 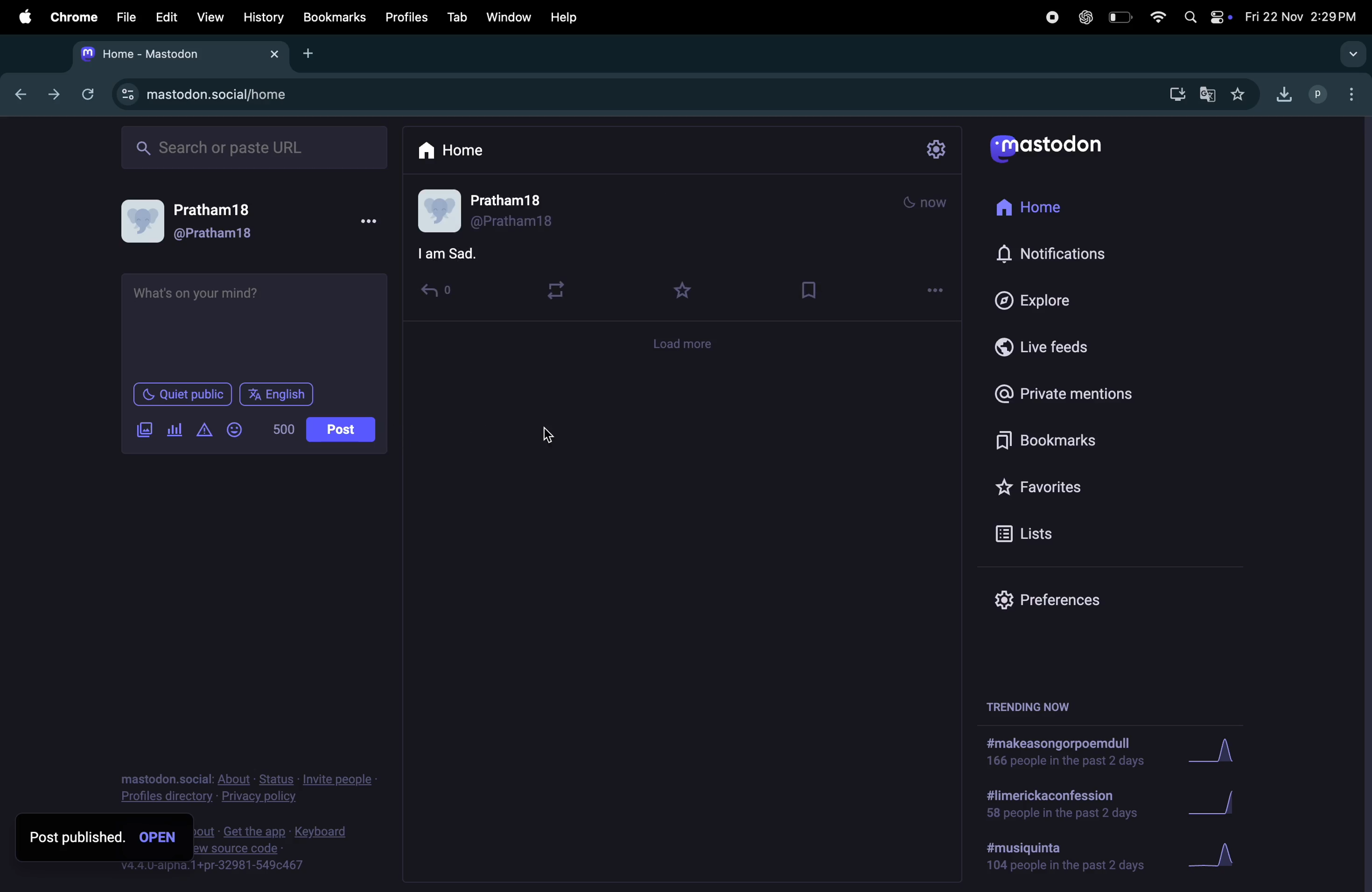 What do you see at coordinates (249, 786) in the screenshot?
I see `privacy and policy` at bounding box center [249, 786].